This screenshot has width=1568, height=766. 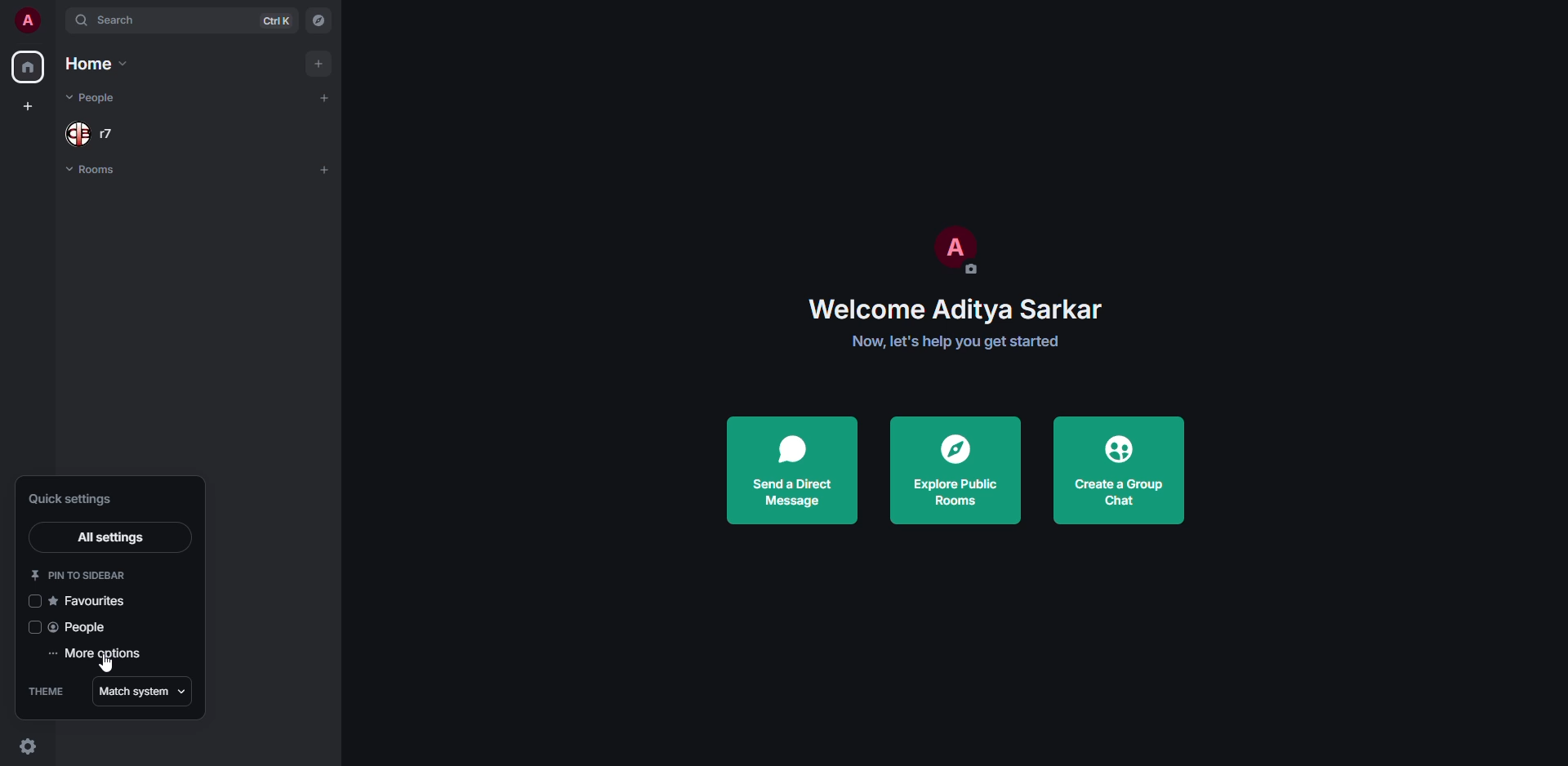 I want to click on home, so click(x=29, y=65).